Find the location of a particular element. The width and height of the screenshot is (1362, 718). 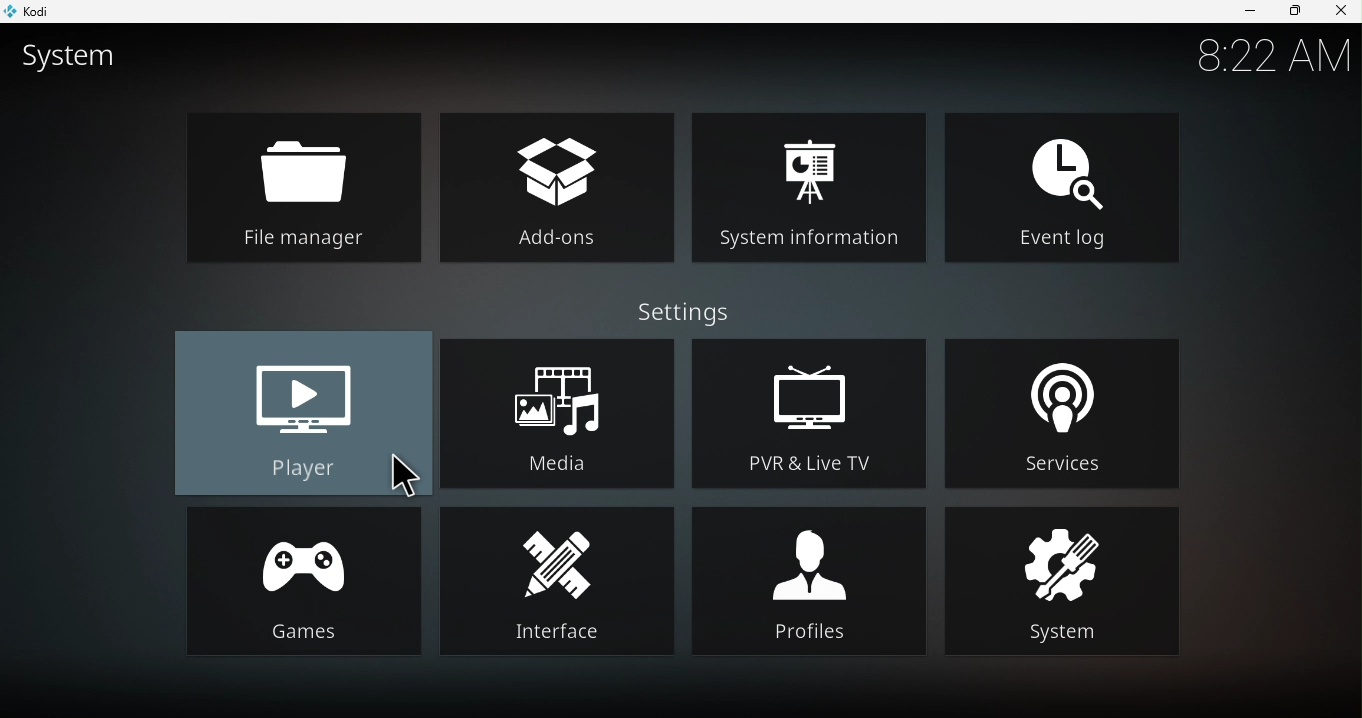

Cursor is located at coordinates (402, 478).